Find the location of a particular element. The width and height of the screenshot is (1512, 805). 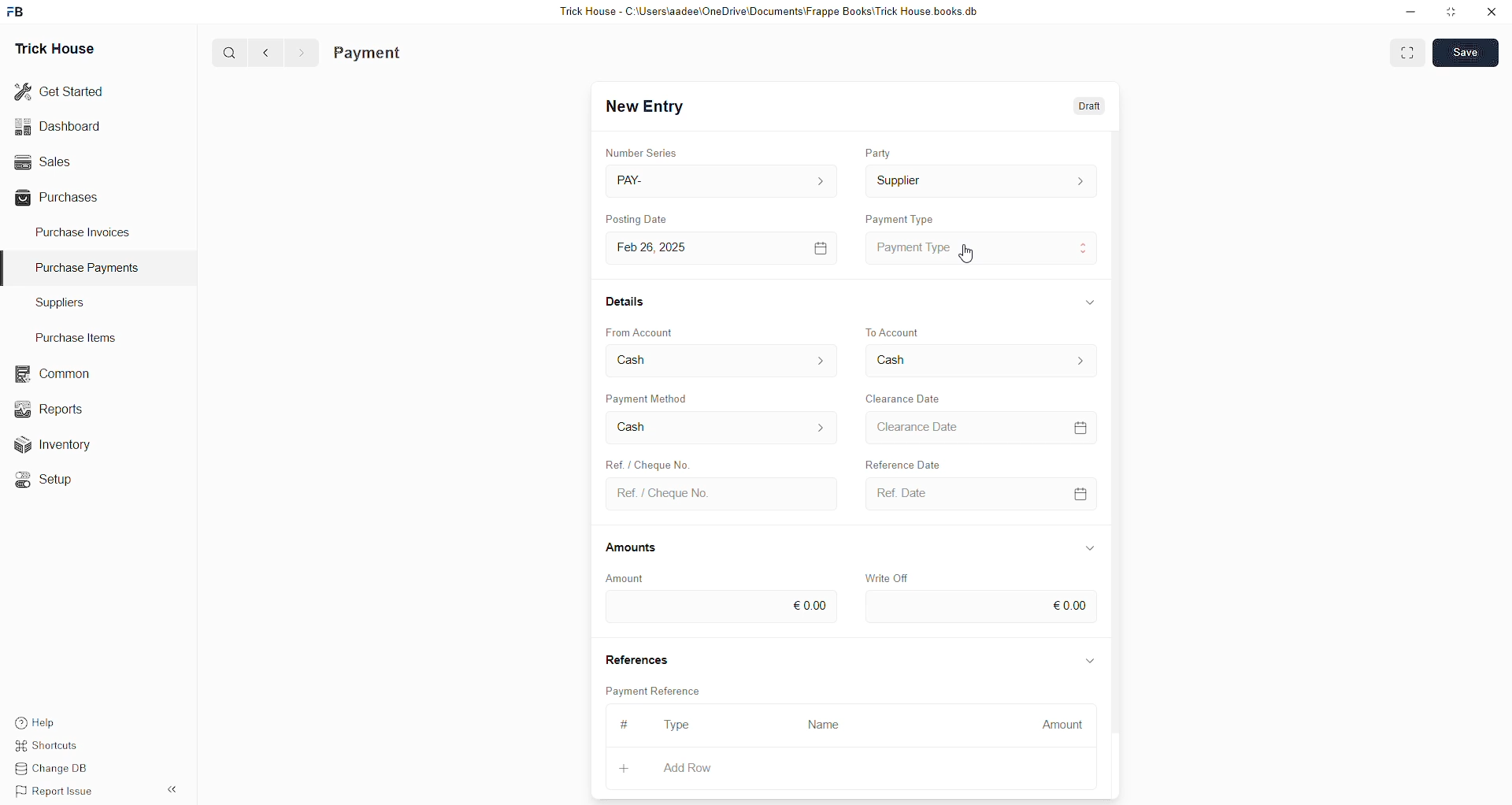

Get Started is located at coordinates (62, 90).